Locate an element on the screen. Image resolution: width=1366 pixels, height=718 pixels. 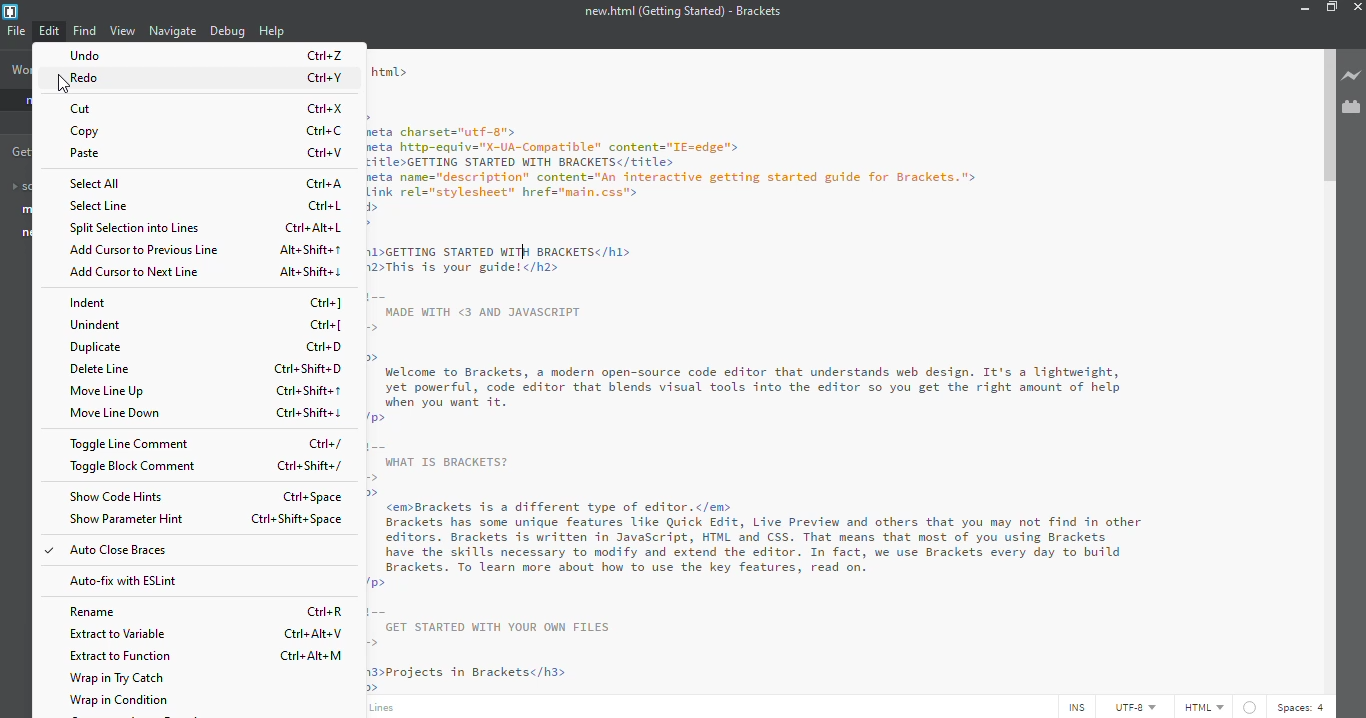
ctrl+shift+down arrow is located at coordinates (309, 415).